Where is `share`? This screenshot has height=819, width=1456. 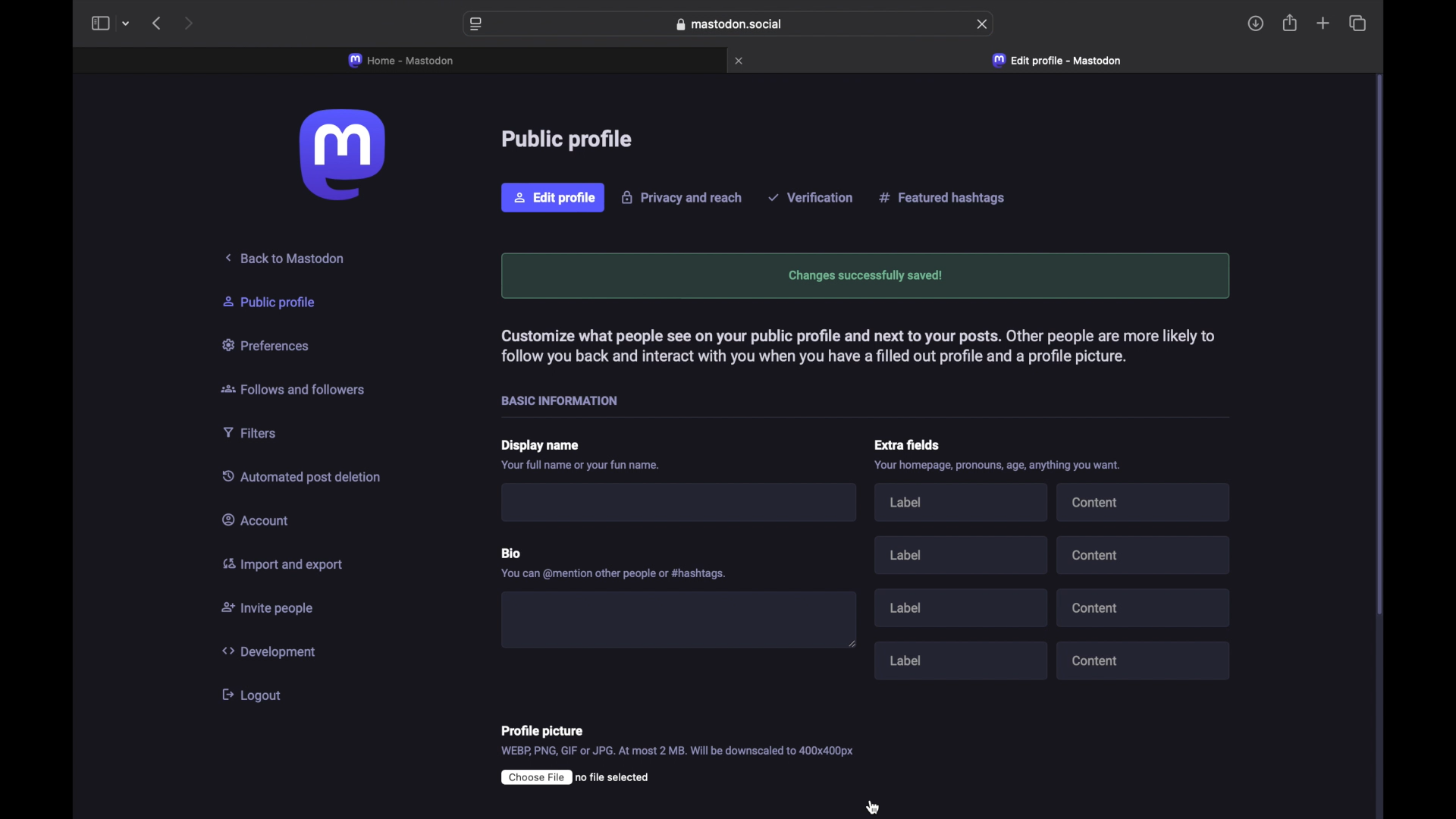
share is located at coordinates (1291, 23).